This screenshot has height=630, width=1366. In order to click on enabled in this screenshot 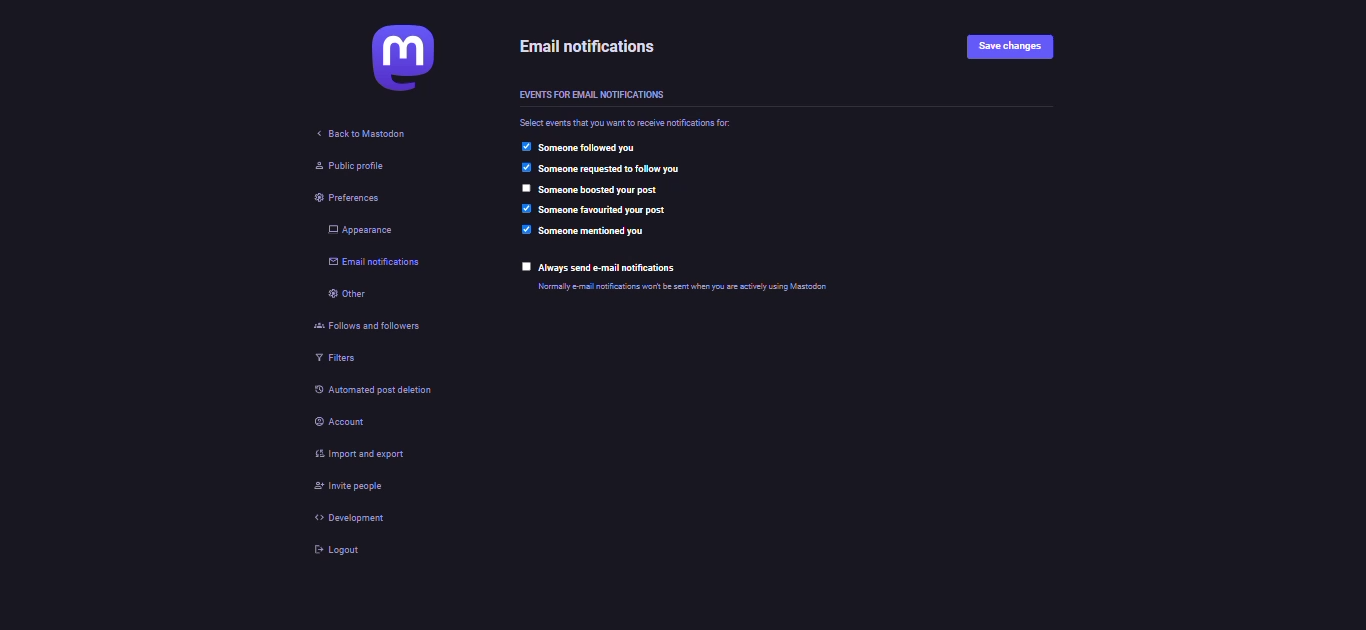, I will do `click(525, 230)`.